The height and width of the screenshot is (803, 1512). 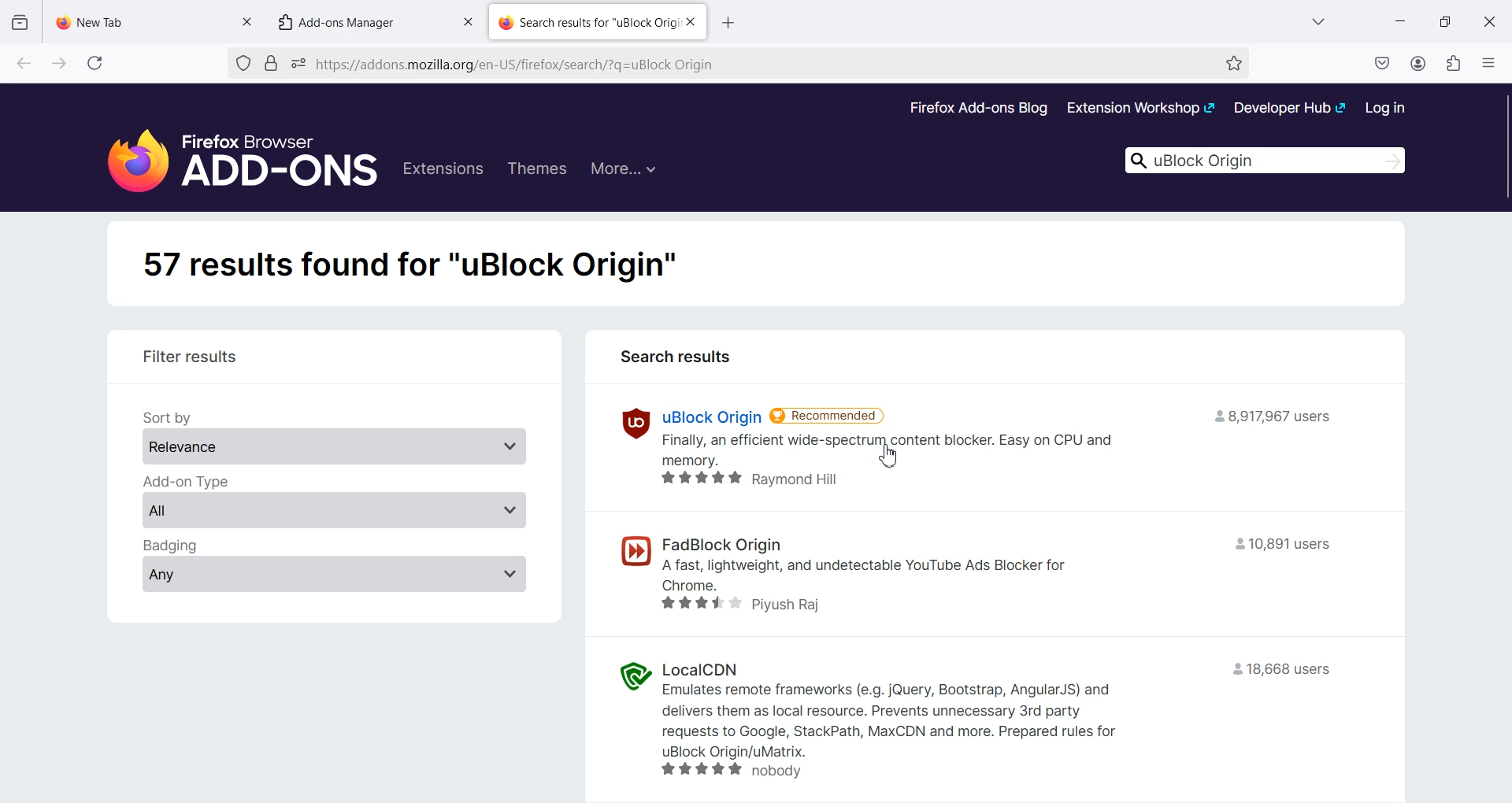 What do you see at coordinates (979, 109) in the screenshot?
I see `Firefox Add-ons Blog` at bounding box center [979, 109].